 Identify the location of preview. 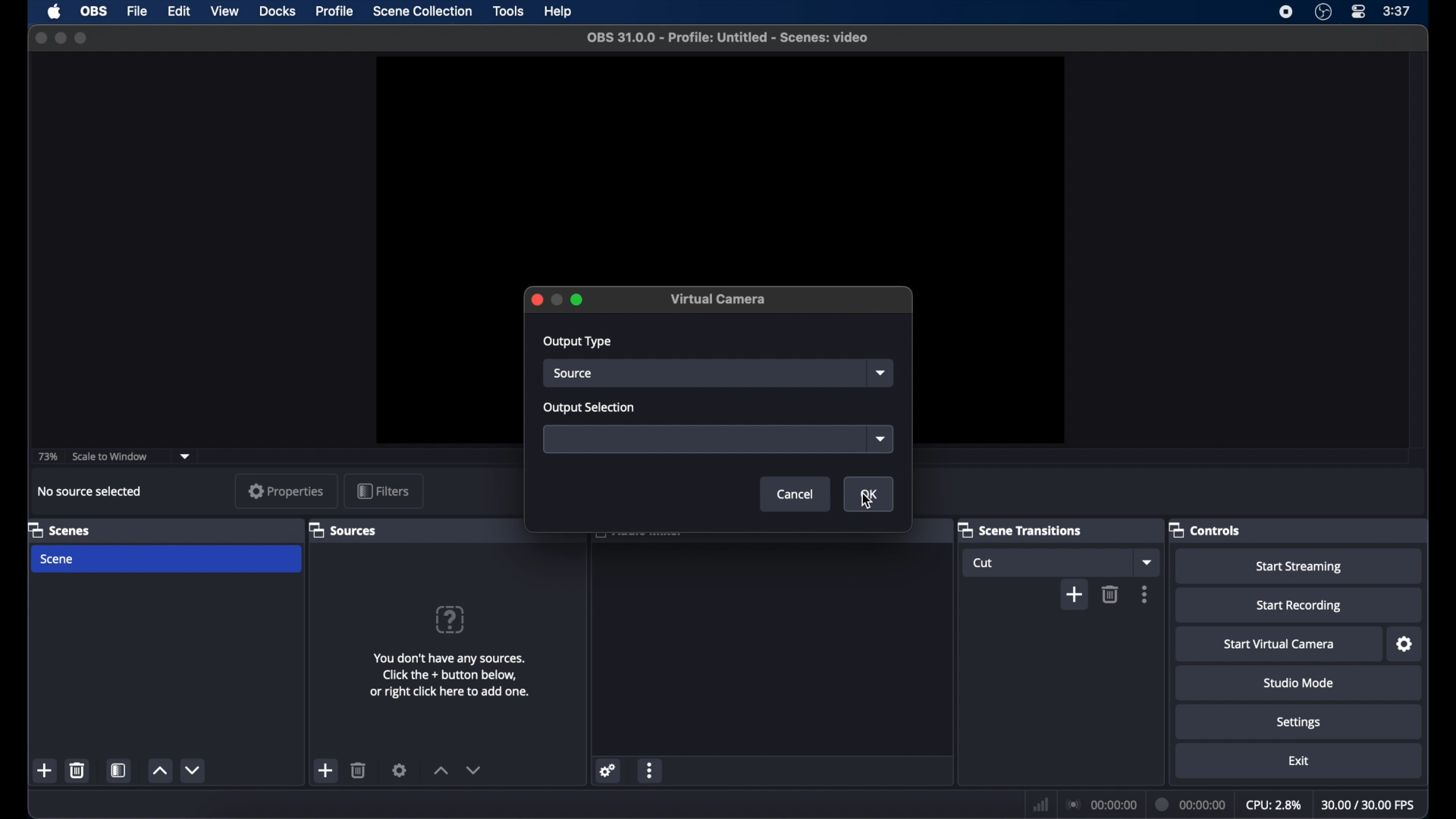
(720, 162).